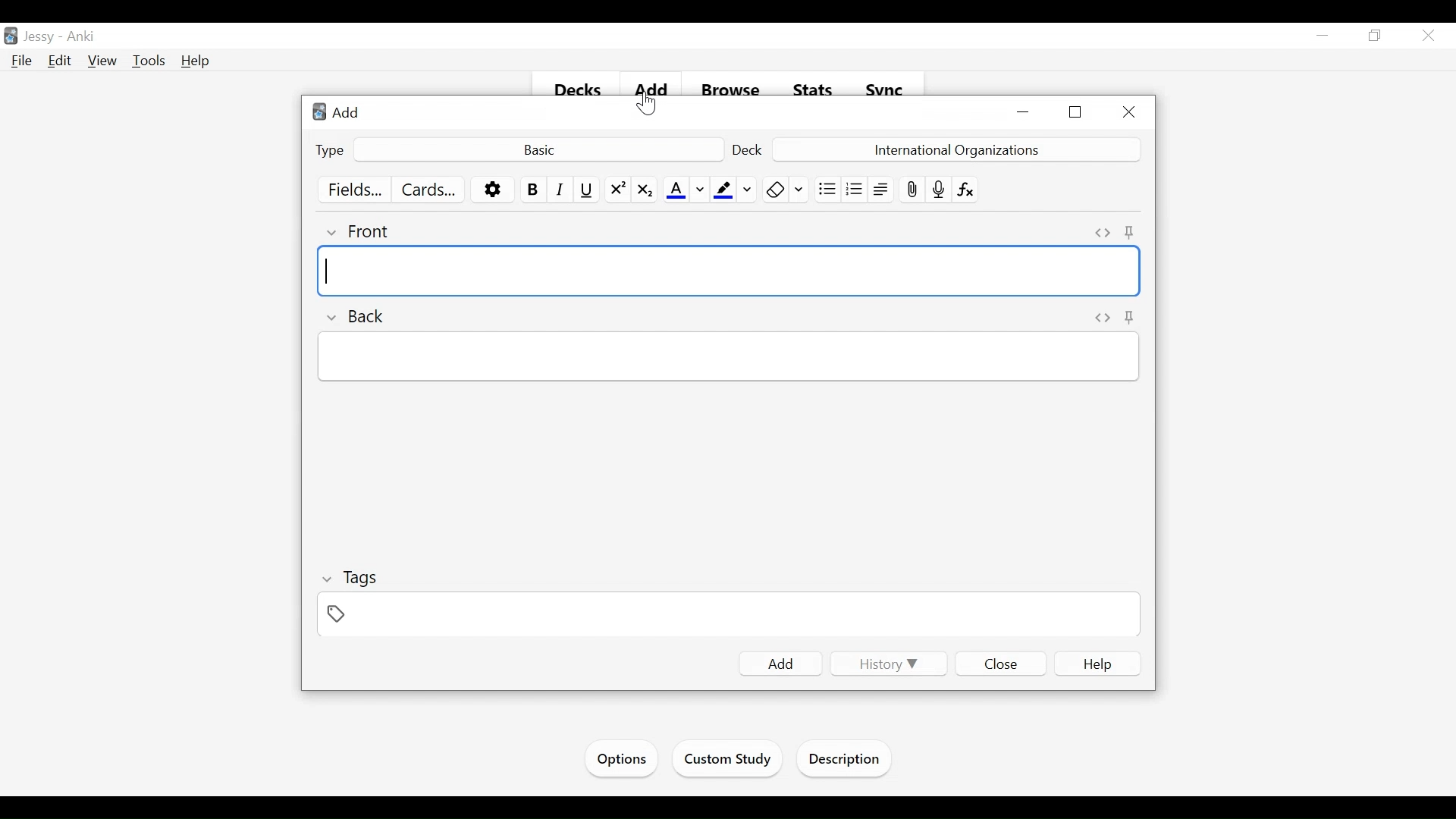 This screenshot has width=1456, height=819. I want to click on Help, so click(1097, 663).